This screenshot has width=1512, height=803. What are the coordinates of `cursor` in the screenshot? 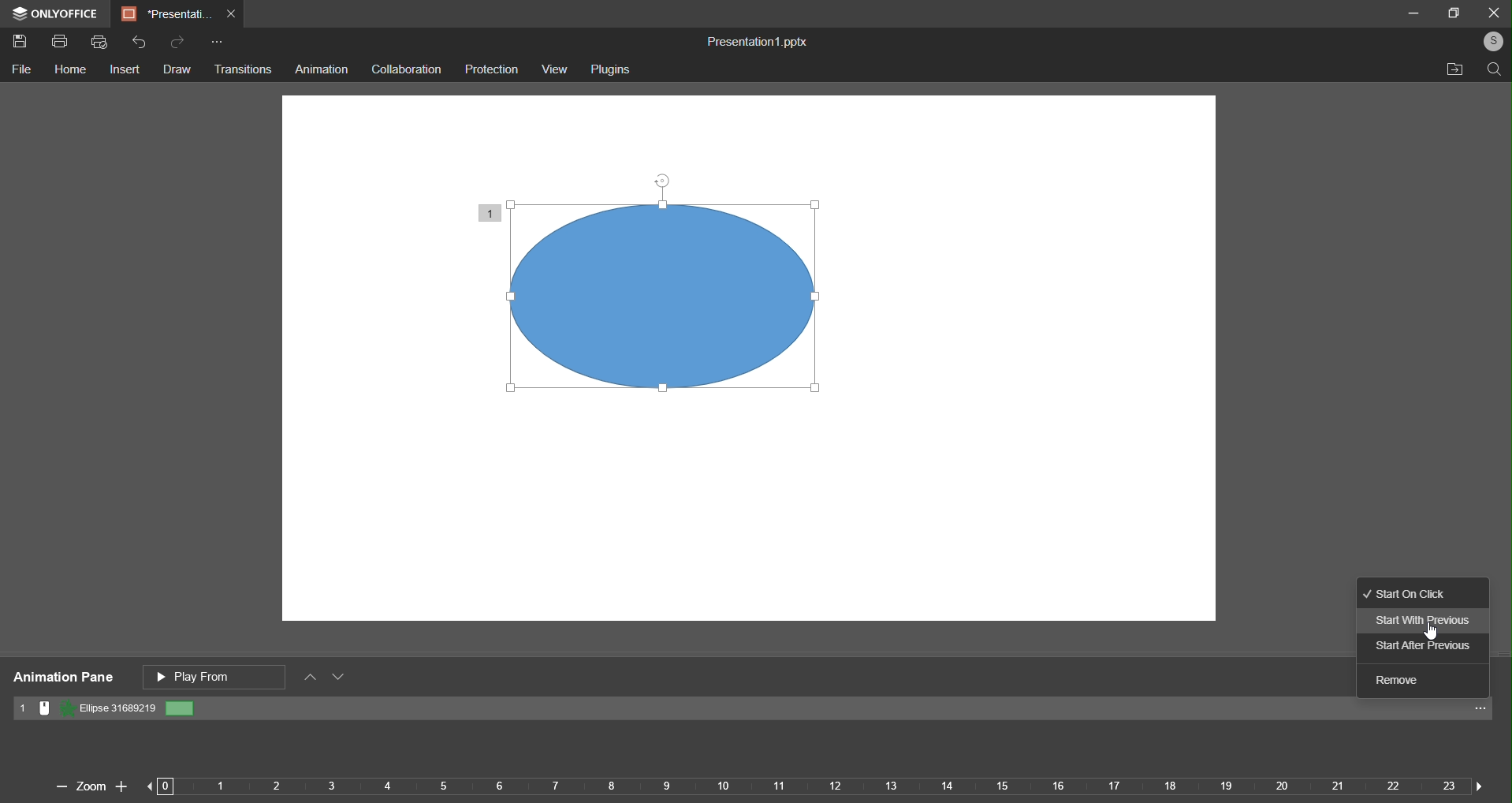 It's located at (1439, 637).